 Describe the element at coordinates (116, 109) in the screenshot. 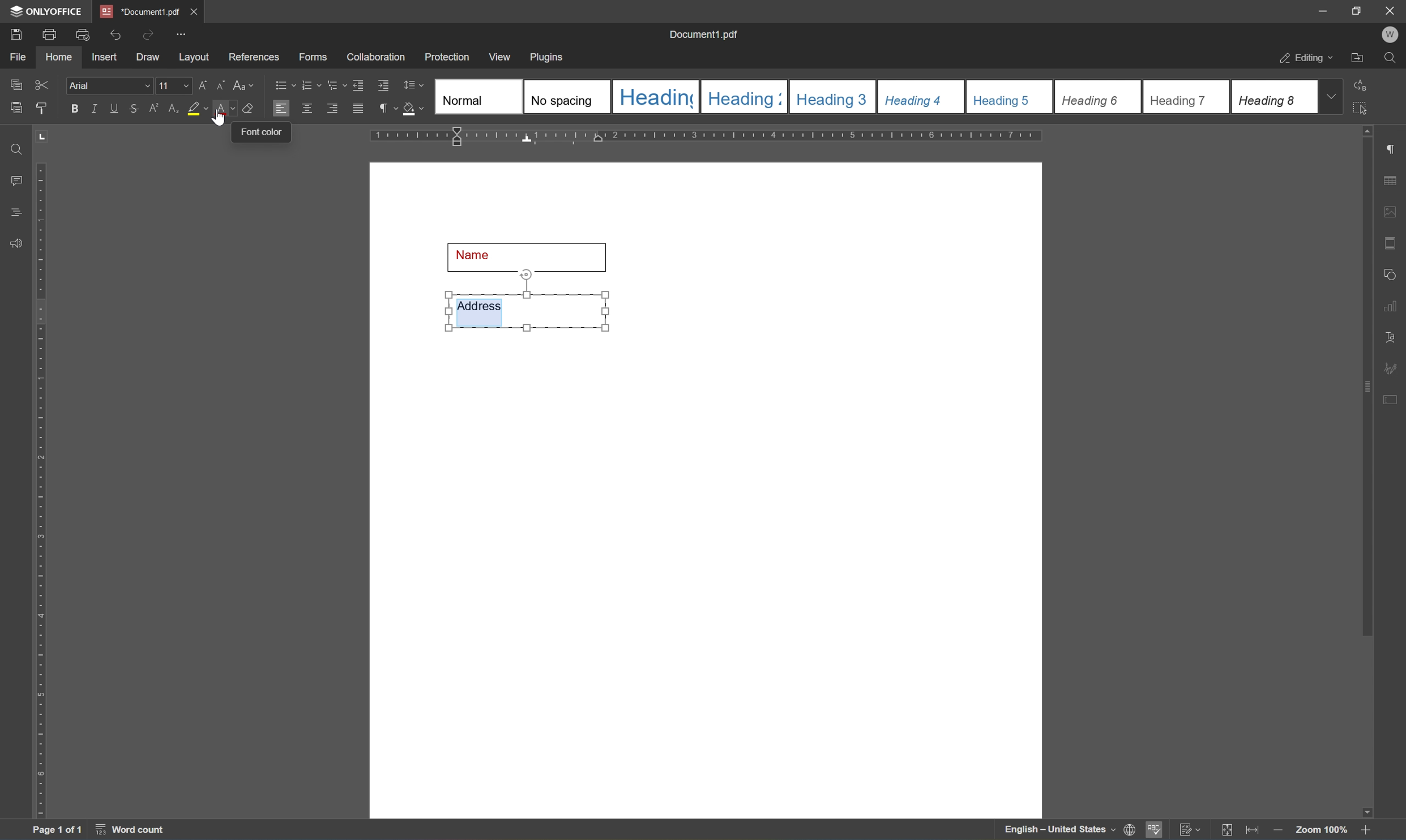

I see `underline` at that location.